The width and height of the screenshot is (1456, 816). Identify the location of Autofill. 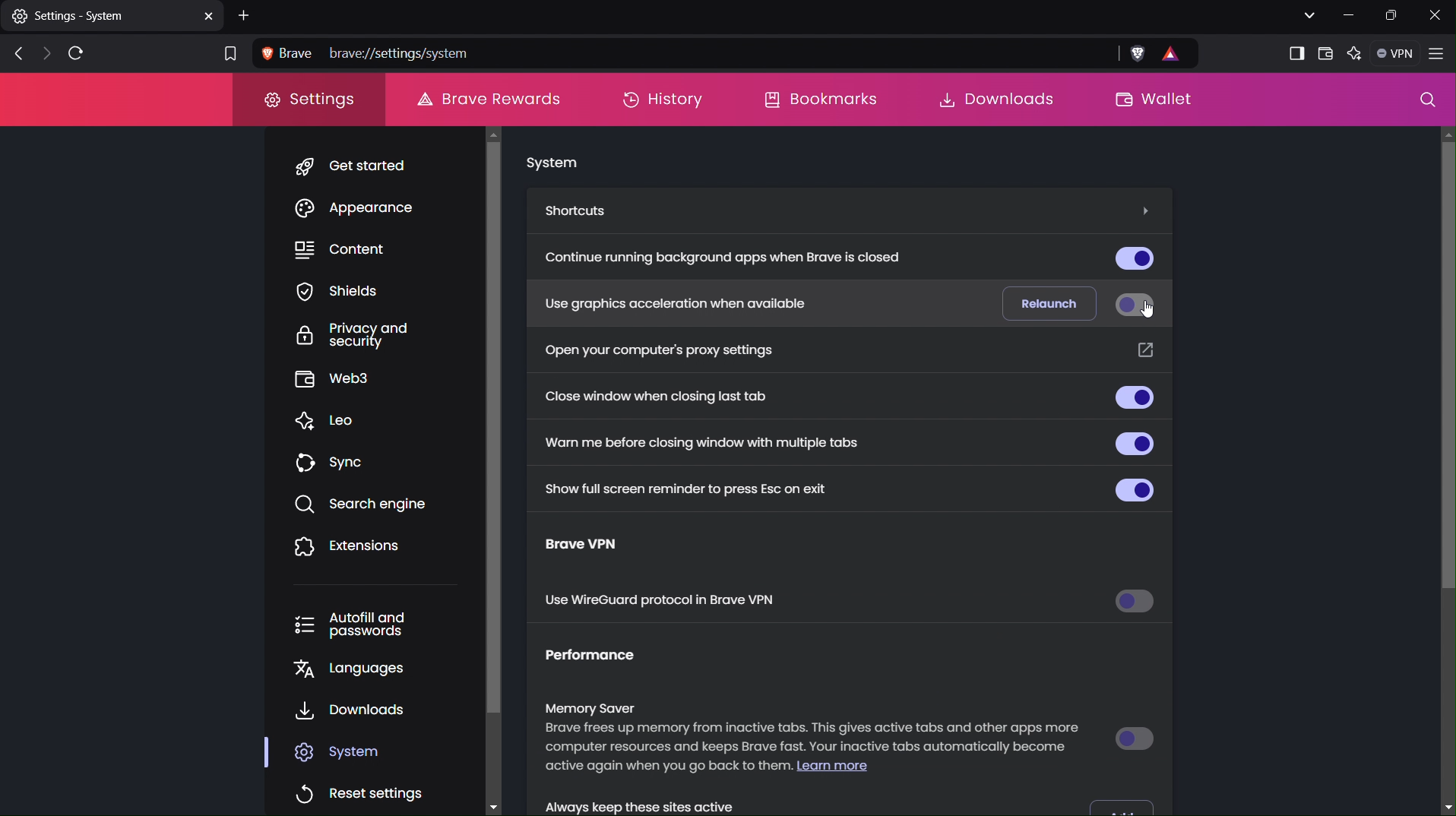
(365, 625).